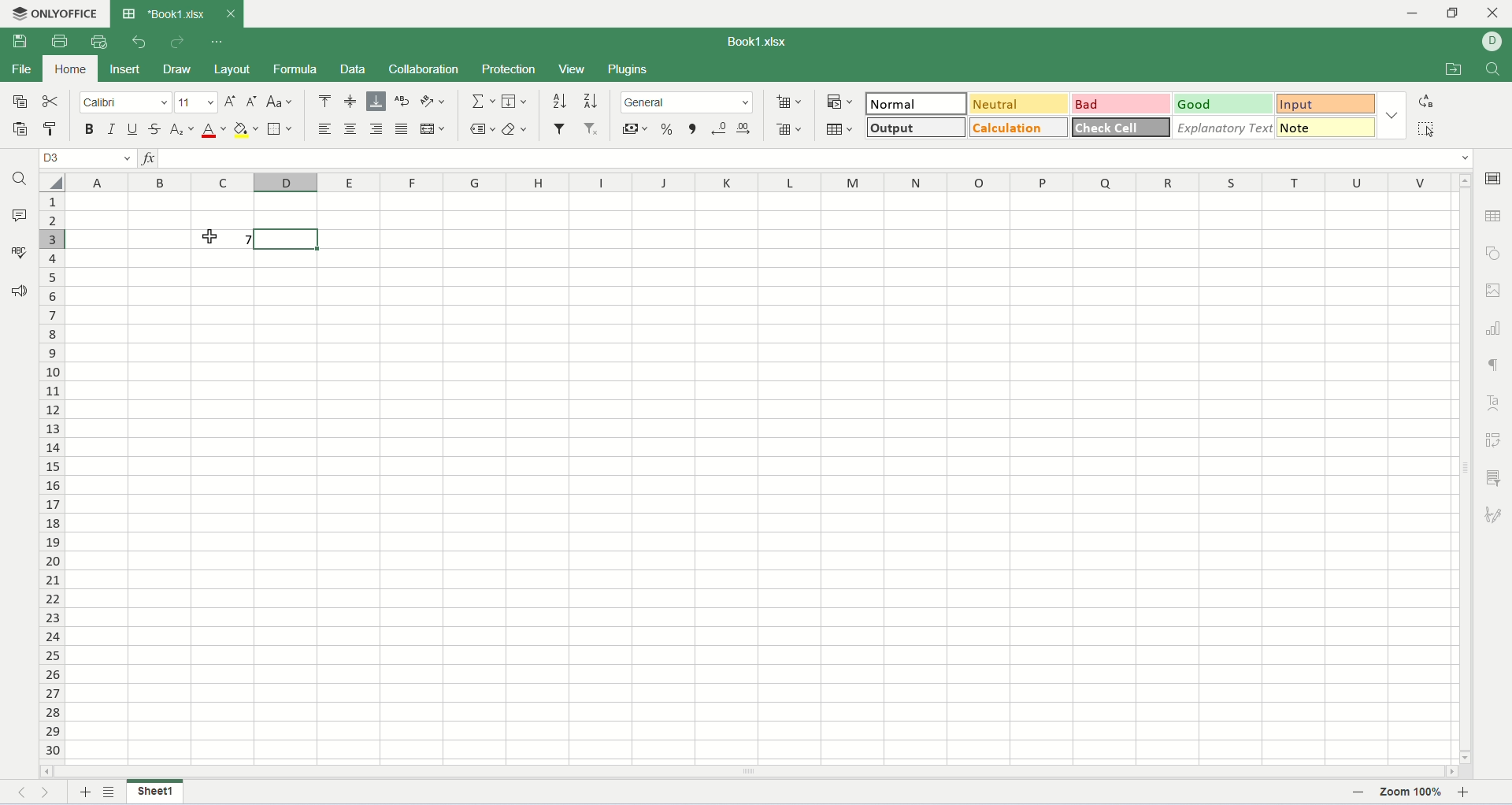 This screenshot has height=805, width=1512. Describe the element at coordinates (1495, 252) in the screenshot. I see `object settings` at that location.